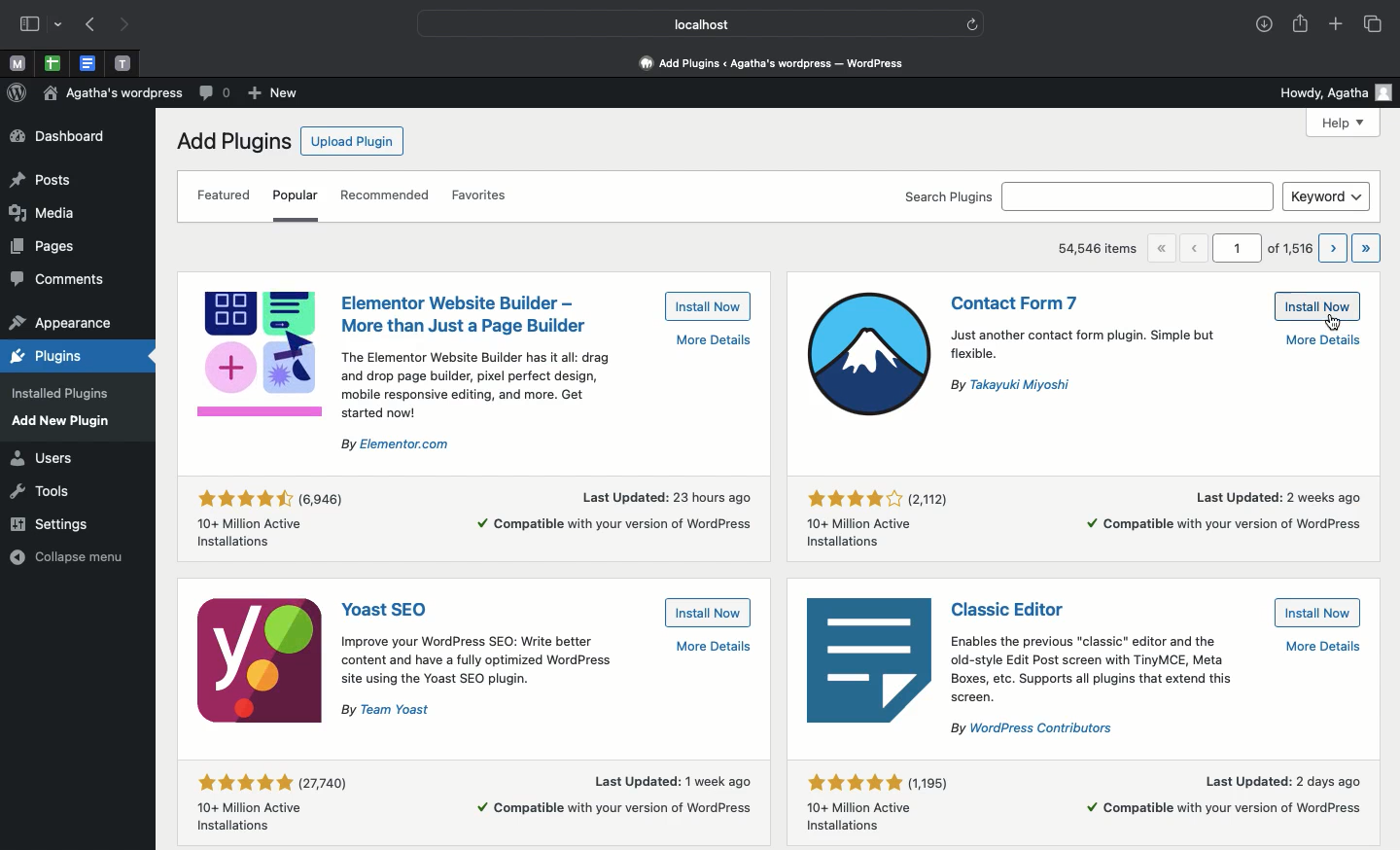 This screenshot has height=850, width=1400. I want to click on Icon, so click(258, 660).